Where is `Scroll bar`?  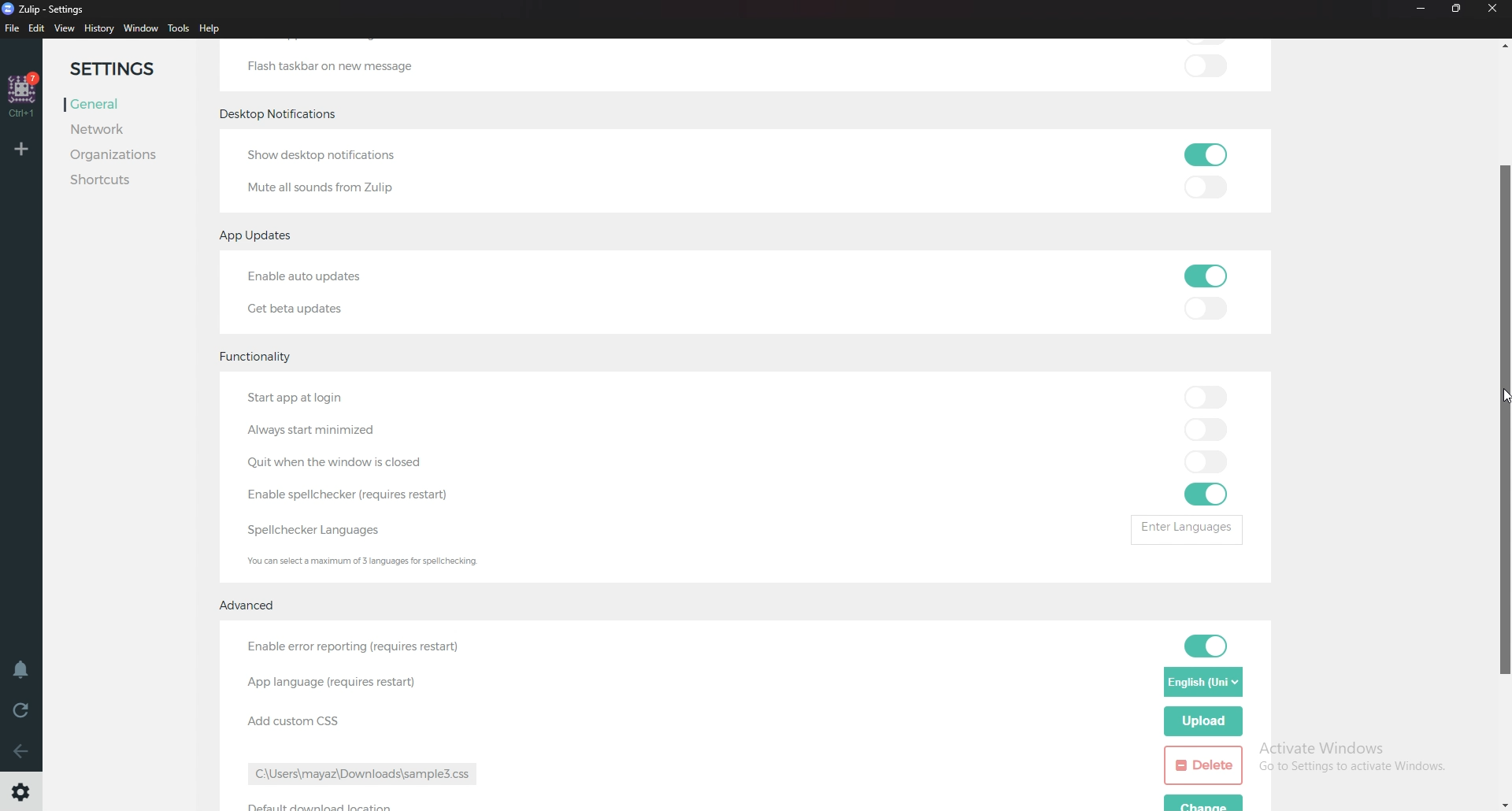
Scroll bar is located at coordinates (1505, 421).